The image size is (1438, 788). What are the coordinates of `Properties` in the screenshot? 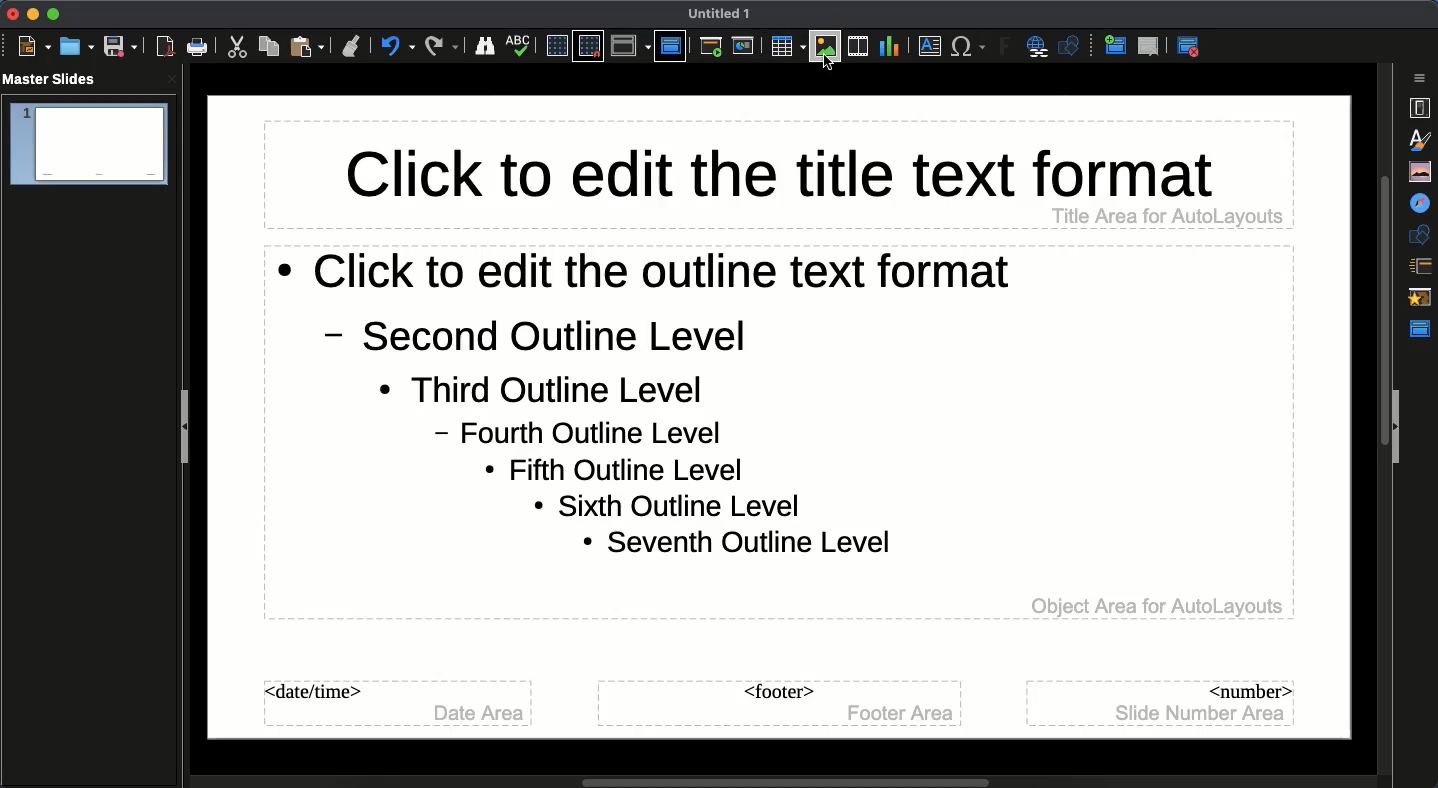 It's located at (1419, 108).